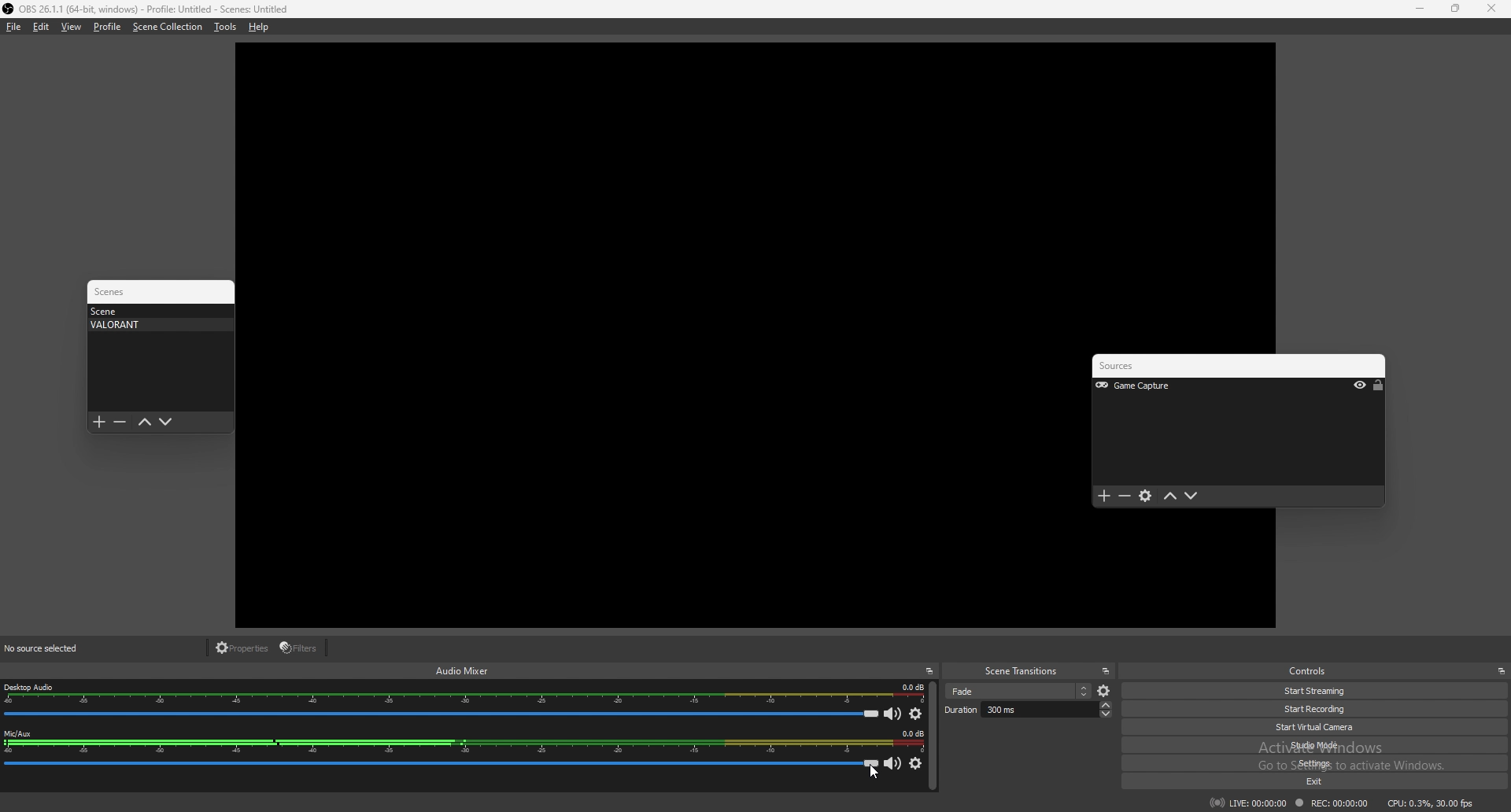 This screenshot has height=812, width=1511. I want to click on exit, so click(1328, 782).